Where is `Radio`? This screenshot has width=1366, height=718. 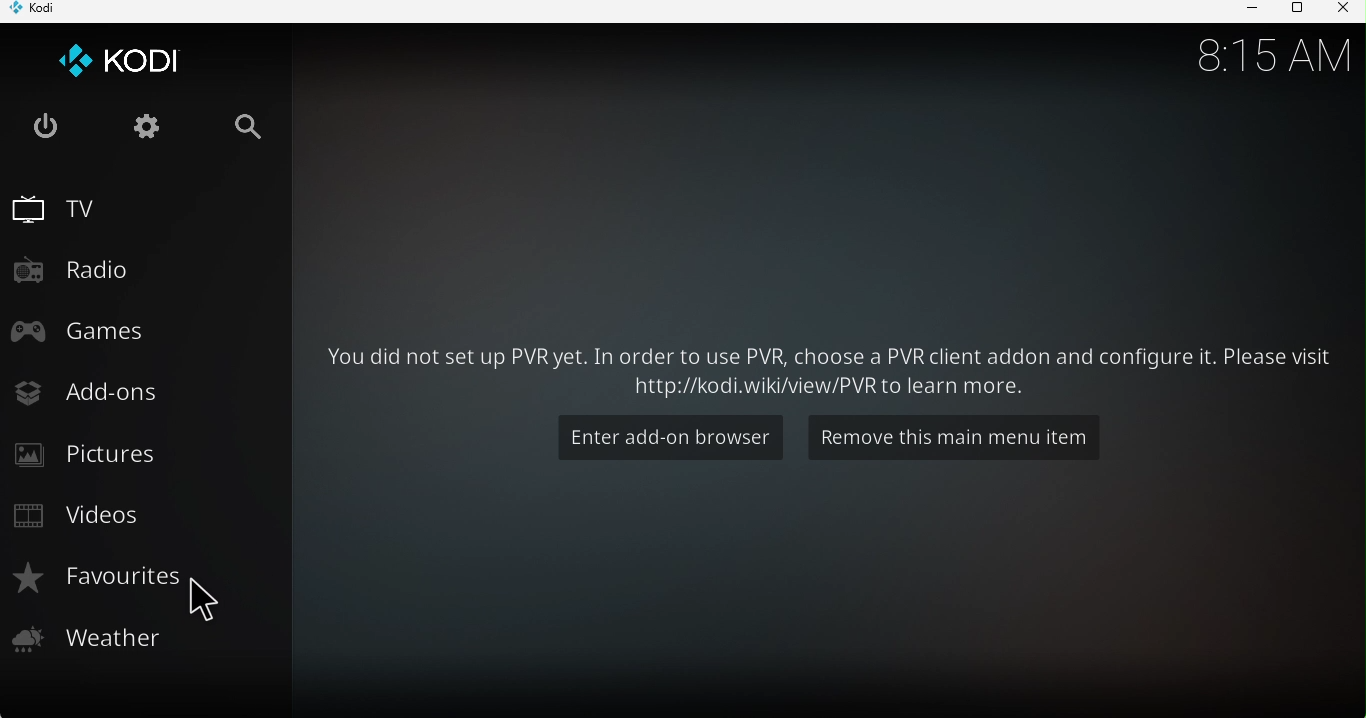
Radio is located at coordinates (136, 272).